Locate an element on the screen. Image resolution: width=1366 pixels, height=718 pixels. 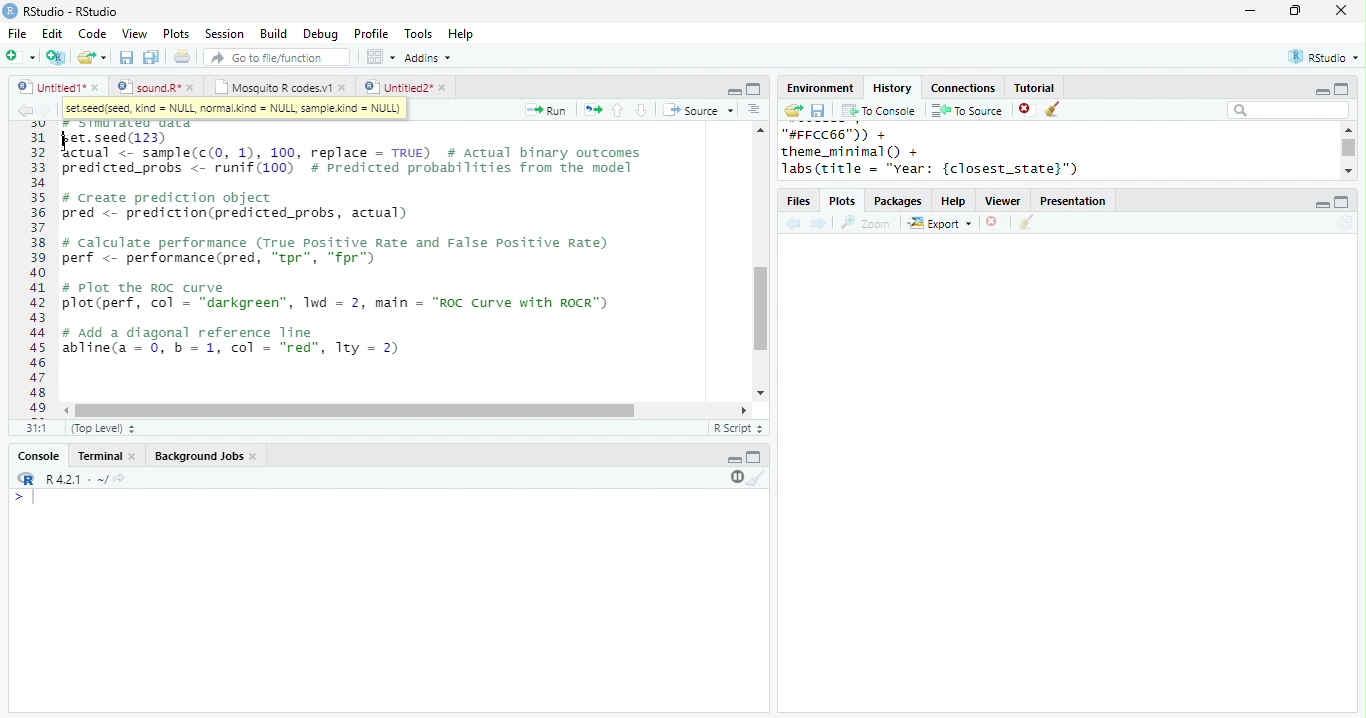
save is located at coordinates (818, 111).